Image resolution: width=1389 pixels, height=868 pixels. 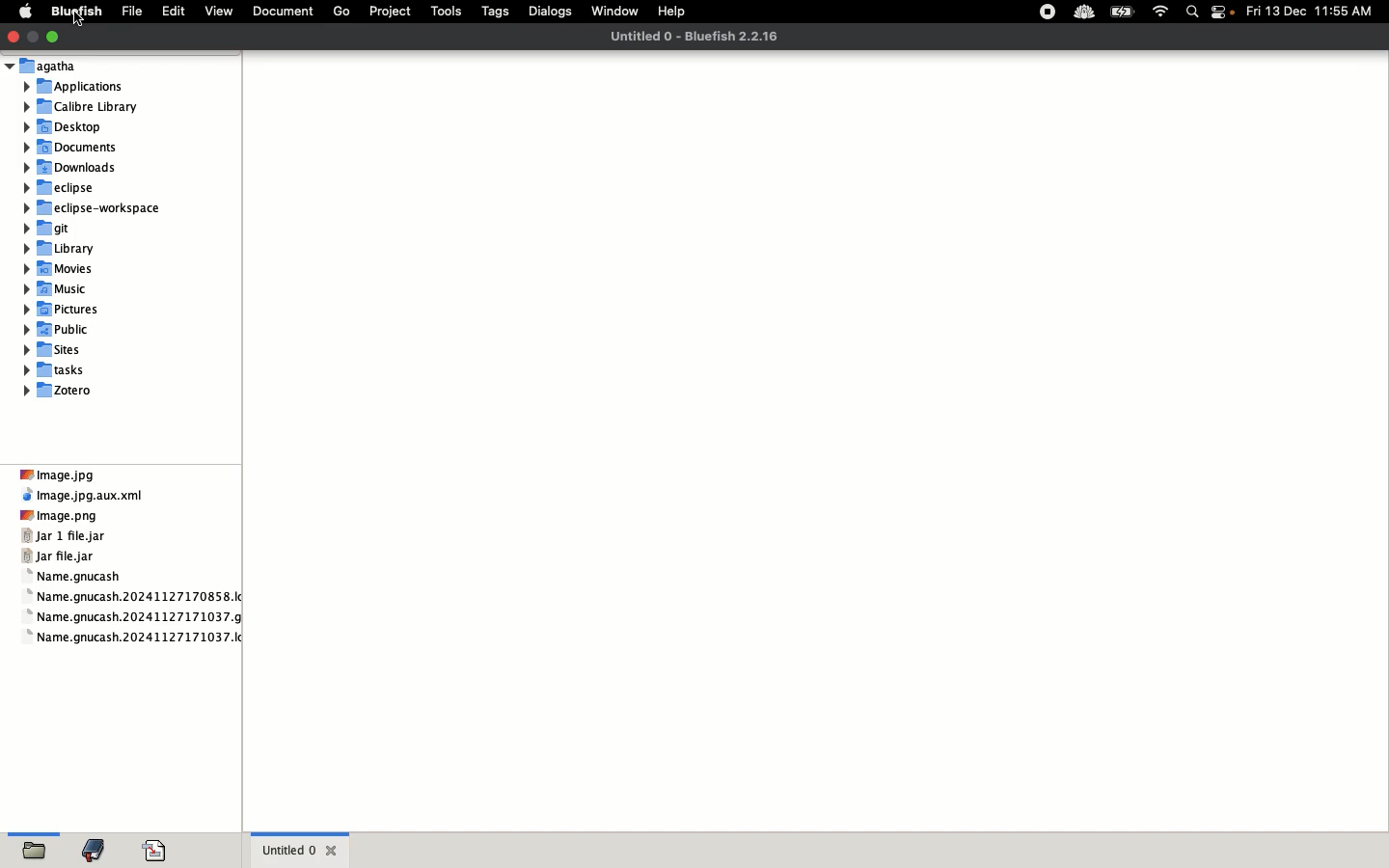 What do you see at coordinates (59, 290) in the screenshot?
I see `music` at bounding box center [59, 290].